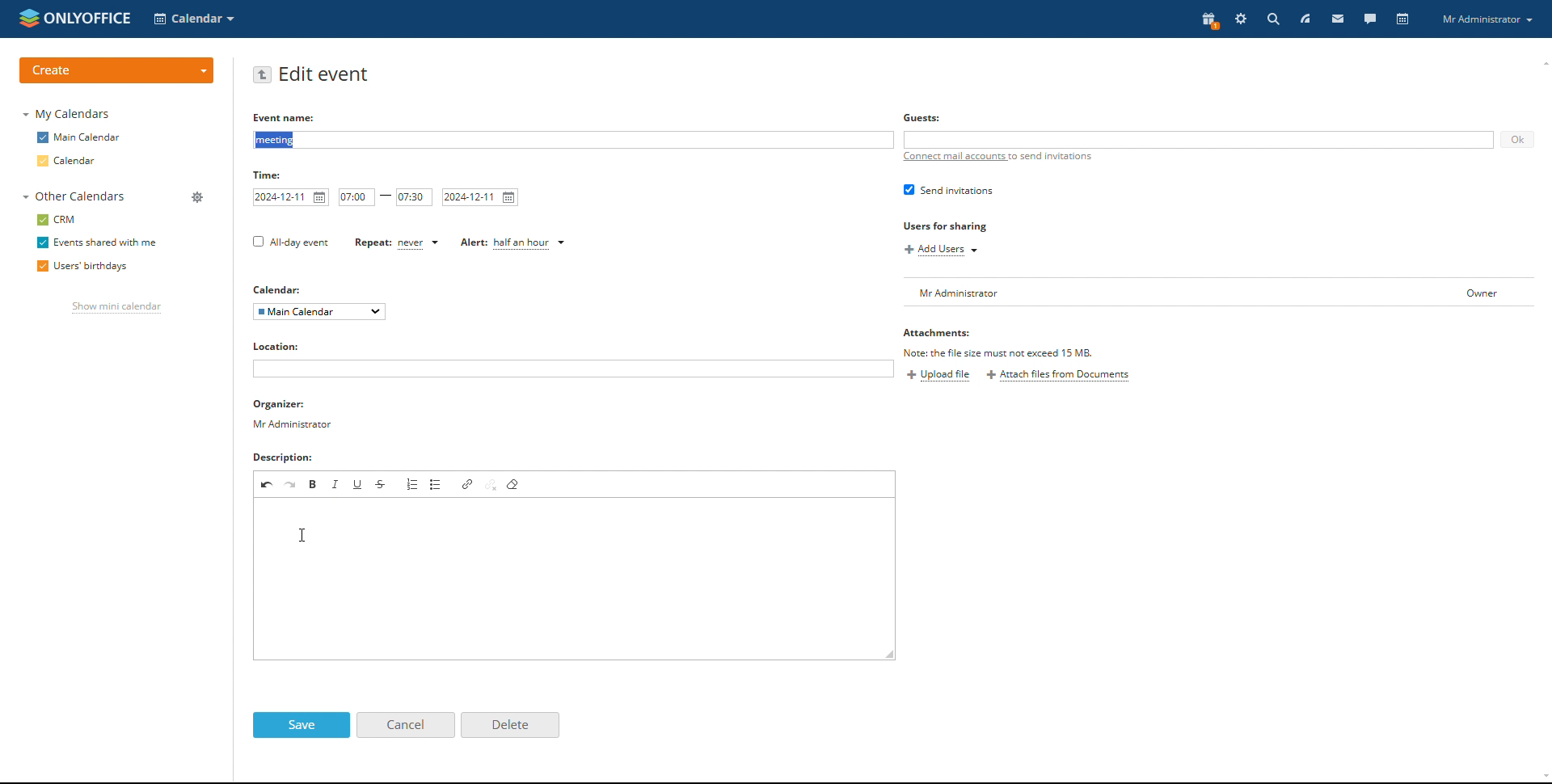 Image resolution: width=1552 pixels, height=784 pixels. I want to click on user list, so click(1220, 293).